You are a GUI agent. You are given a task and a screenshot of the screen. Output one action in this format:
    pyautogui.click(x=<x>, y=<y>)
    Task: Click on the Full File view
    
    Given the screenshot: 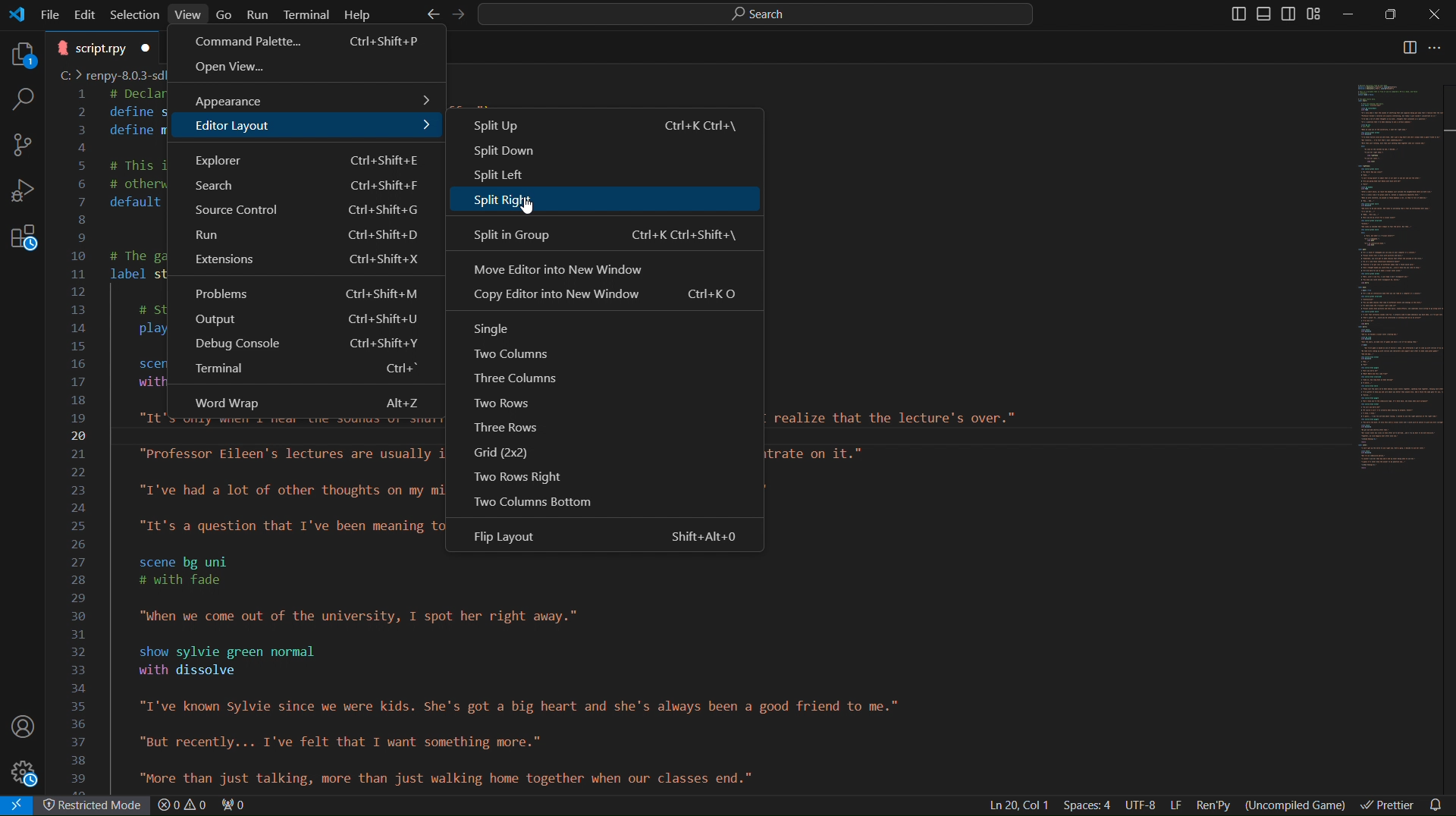 What is the action you would take?
    pyautogui.click(x=1389, y=276)
    